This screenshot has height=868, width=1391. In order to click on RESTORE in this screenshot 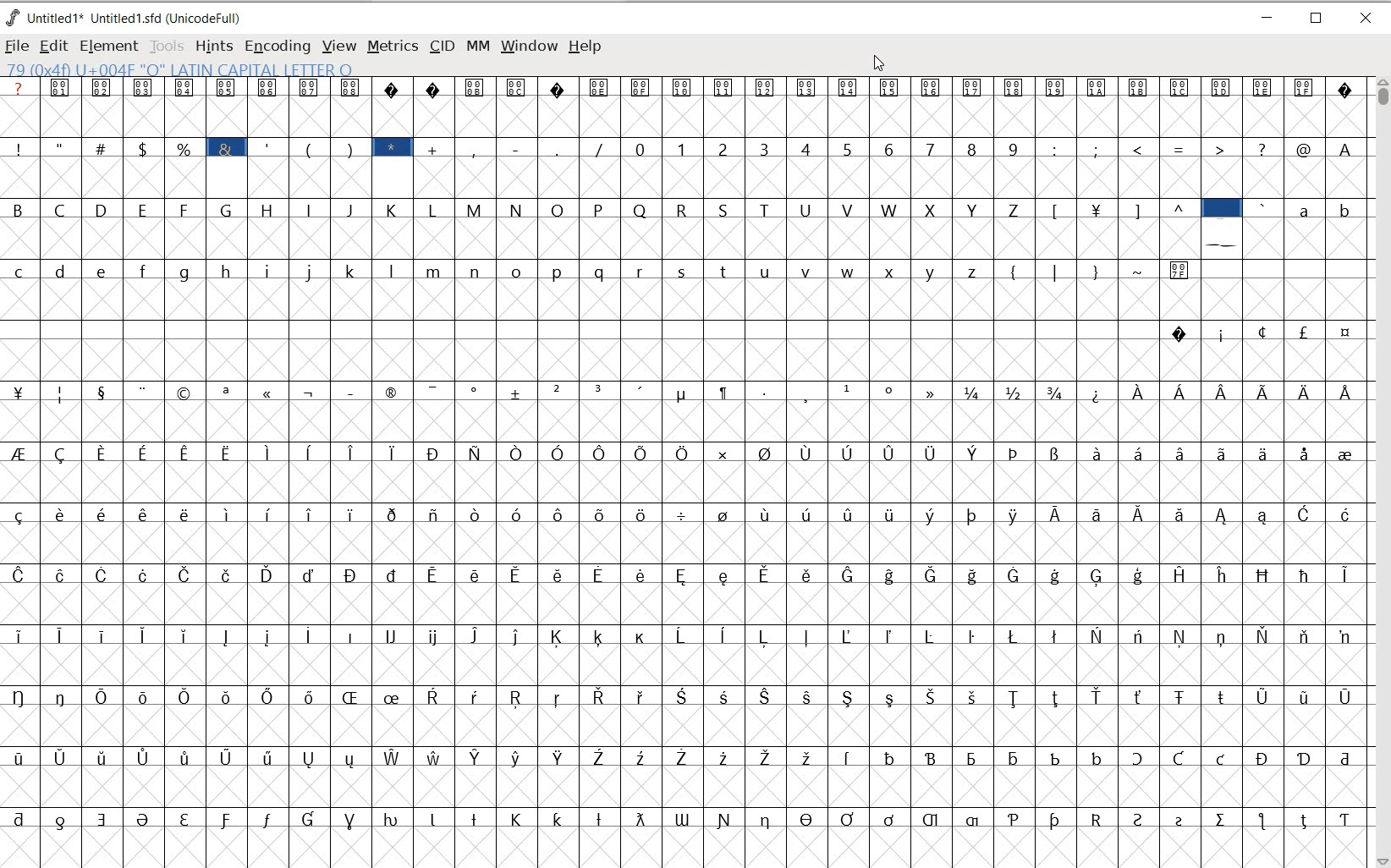, I will do `click(1318, 19)`.